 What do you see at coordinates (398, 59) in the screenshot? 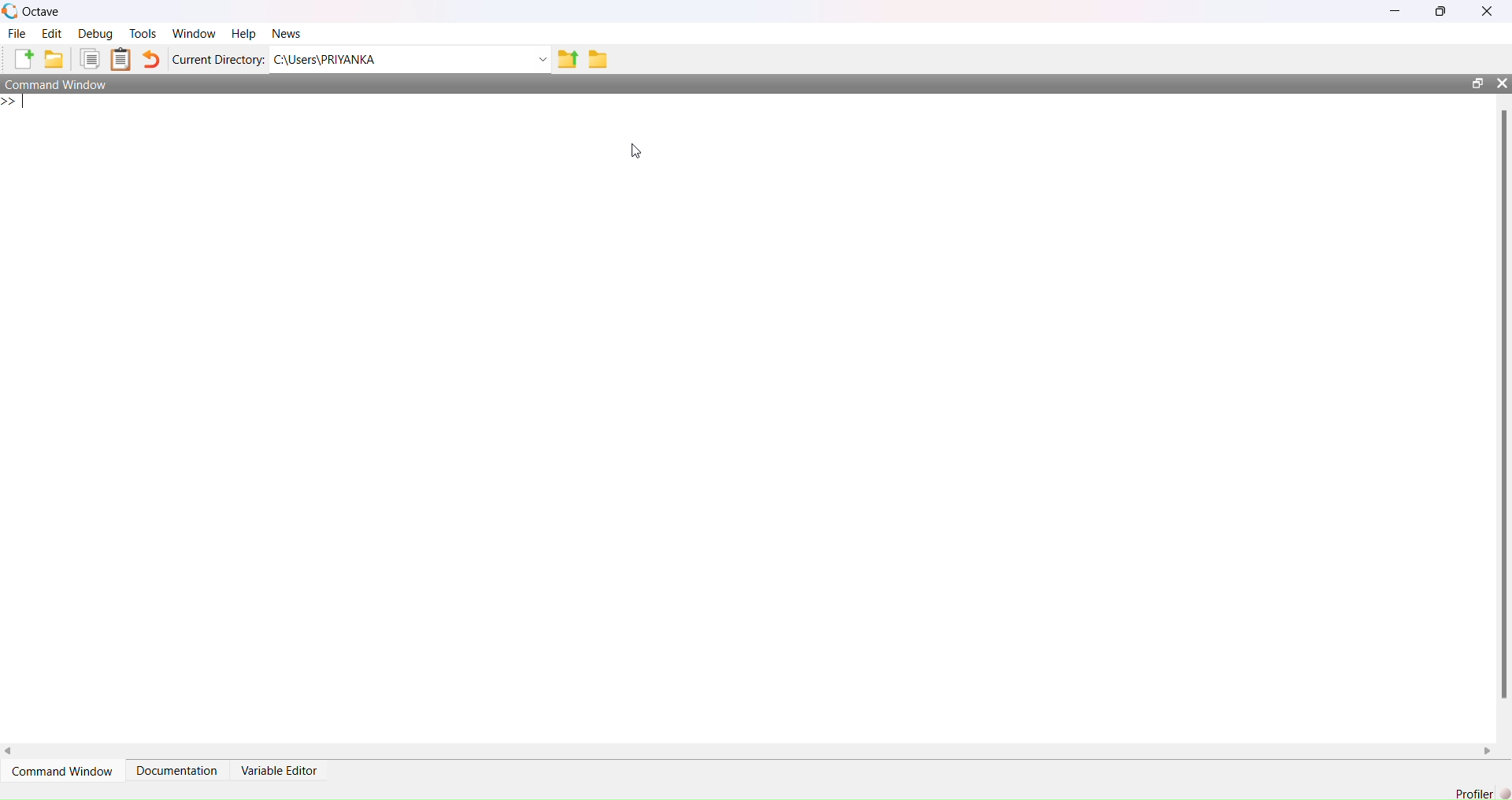
I see `C:\Users\PRIYANKA` at bounding box center [398, 59].